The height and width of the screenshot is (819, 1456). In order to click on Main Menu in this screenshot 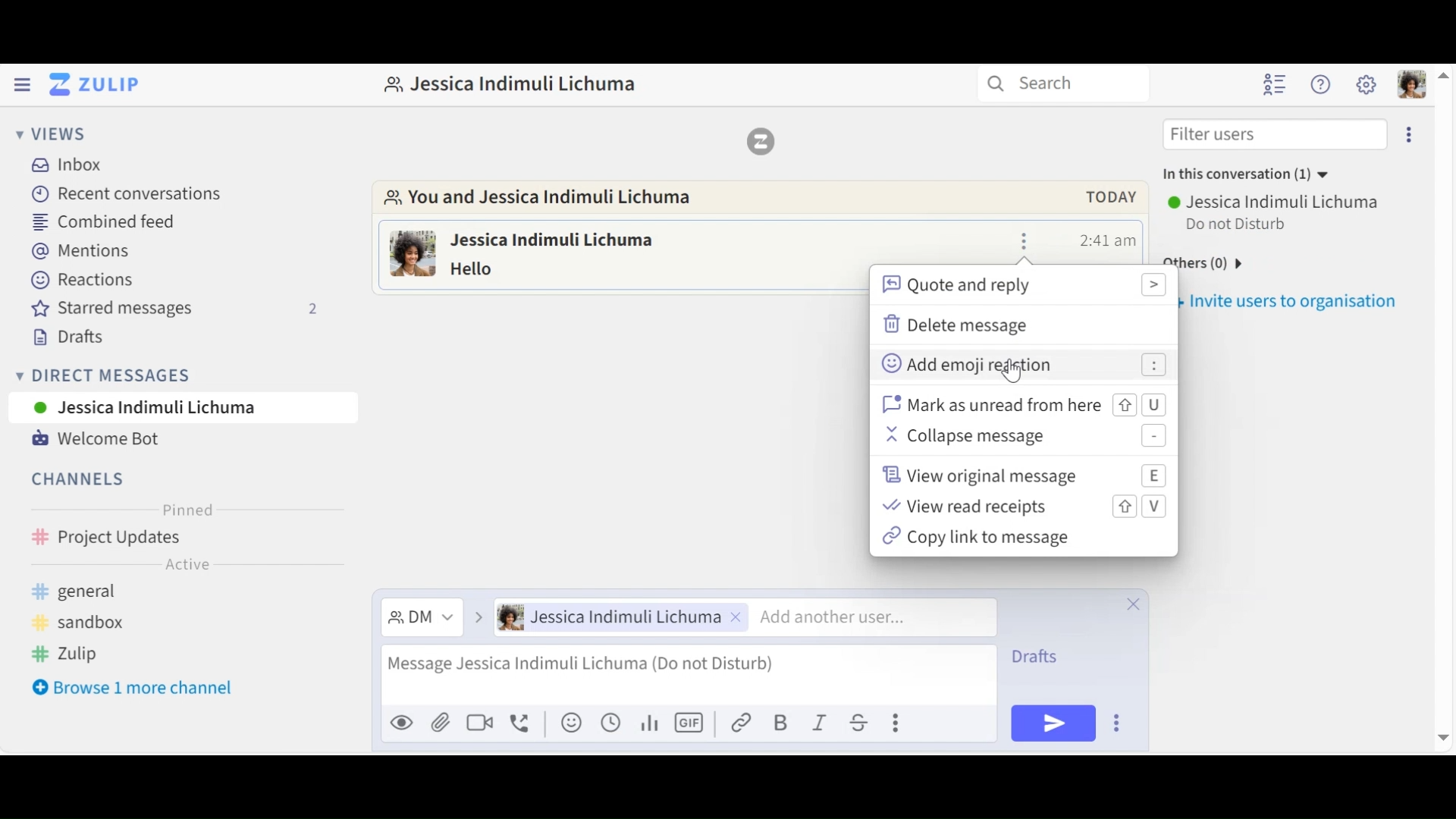, I will do `click(1366, 84)`.